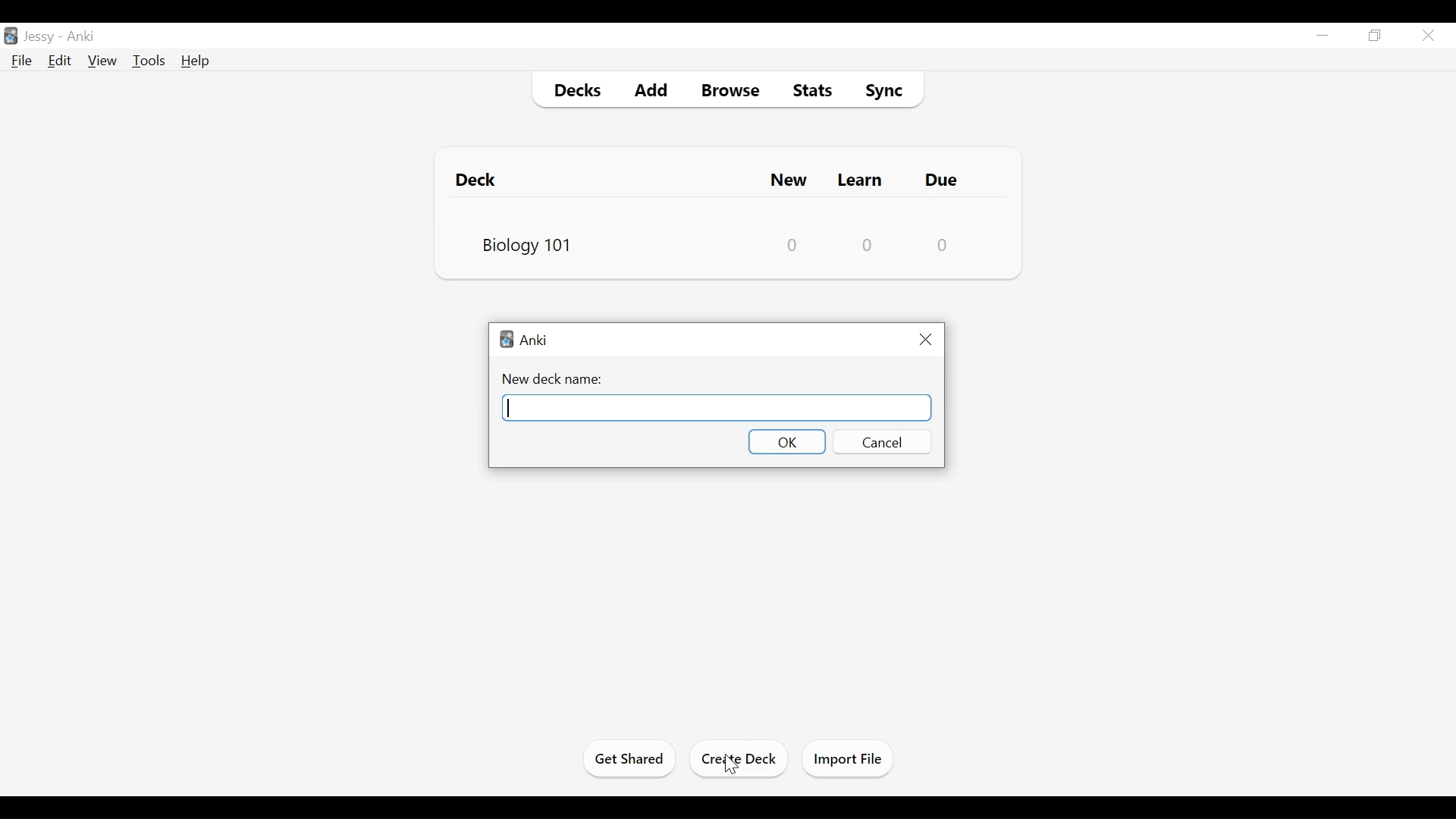 This screenshot has width=1456, height=819. Describe the element at coordinates (741, 759) in the screenshot. I see `Create Deck` at that location.